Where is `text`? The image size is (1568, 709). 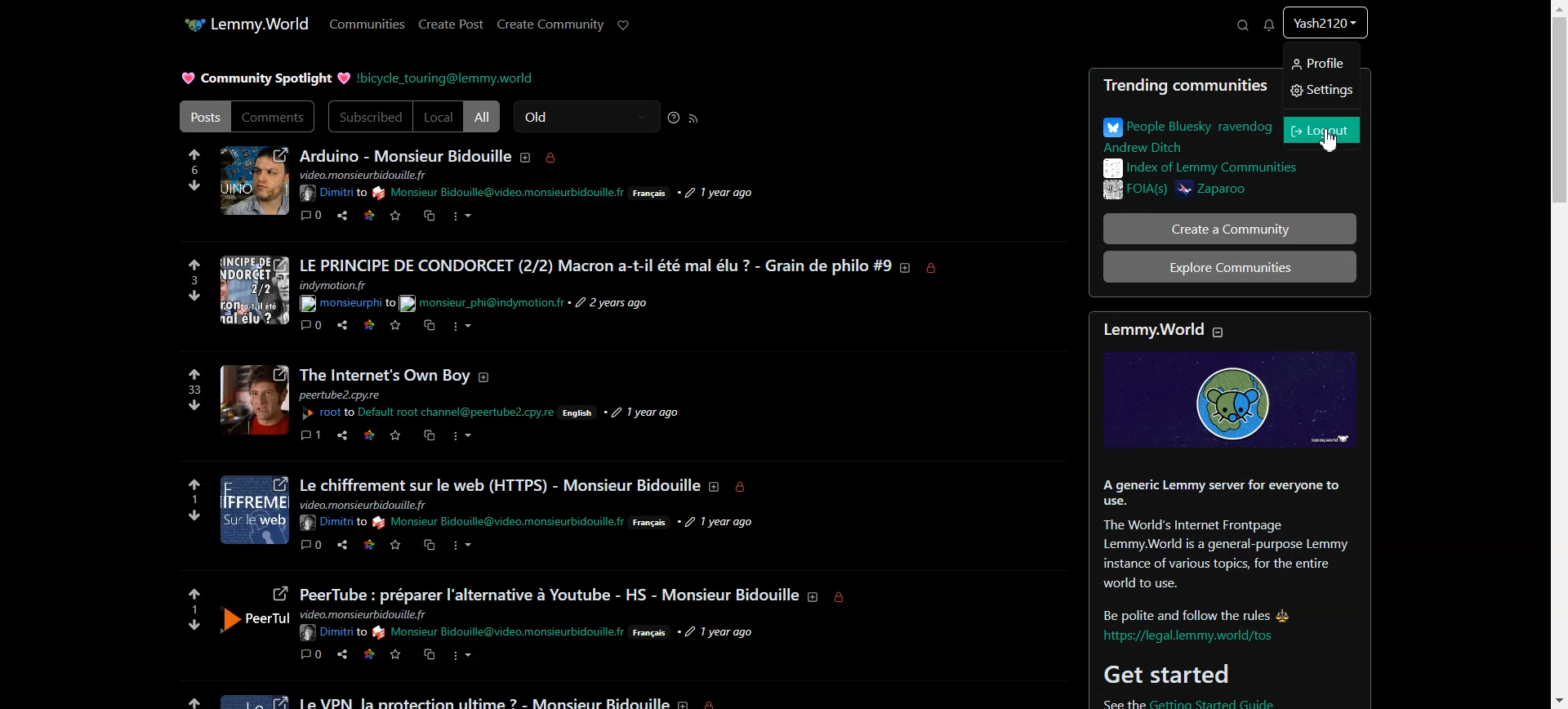
text is located at coordinates (368, 175).